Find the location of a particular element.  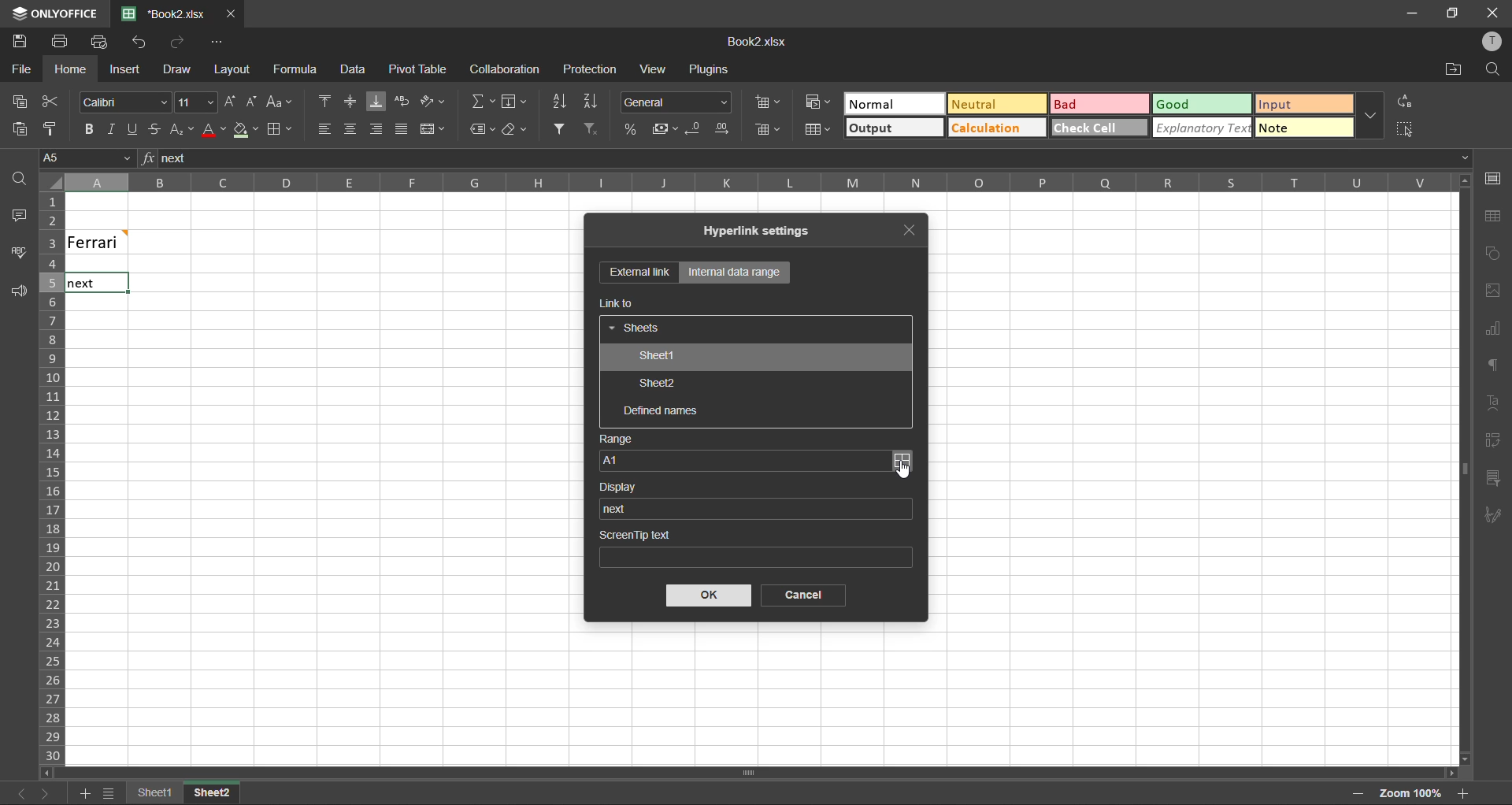

named ranges is located at coordinates (483, 129).